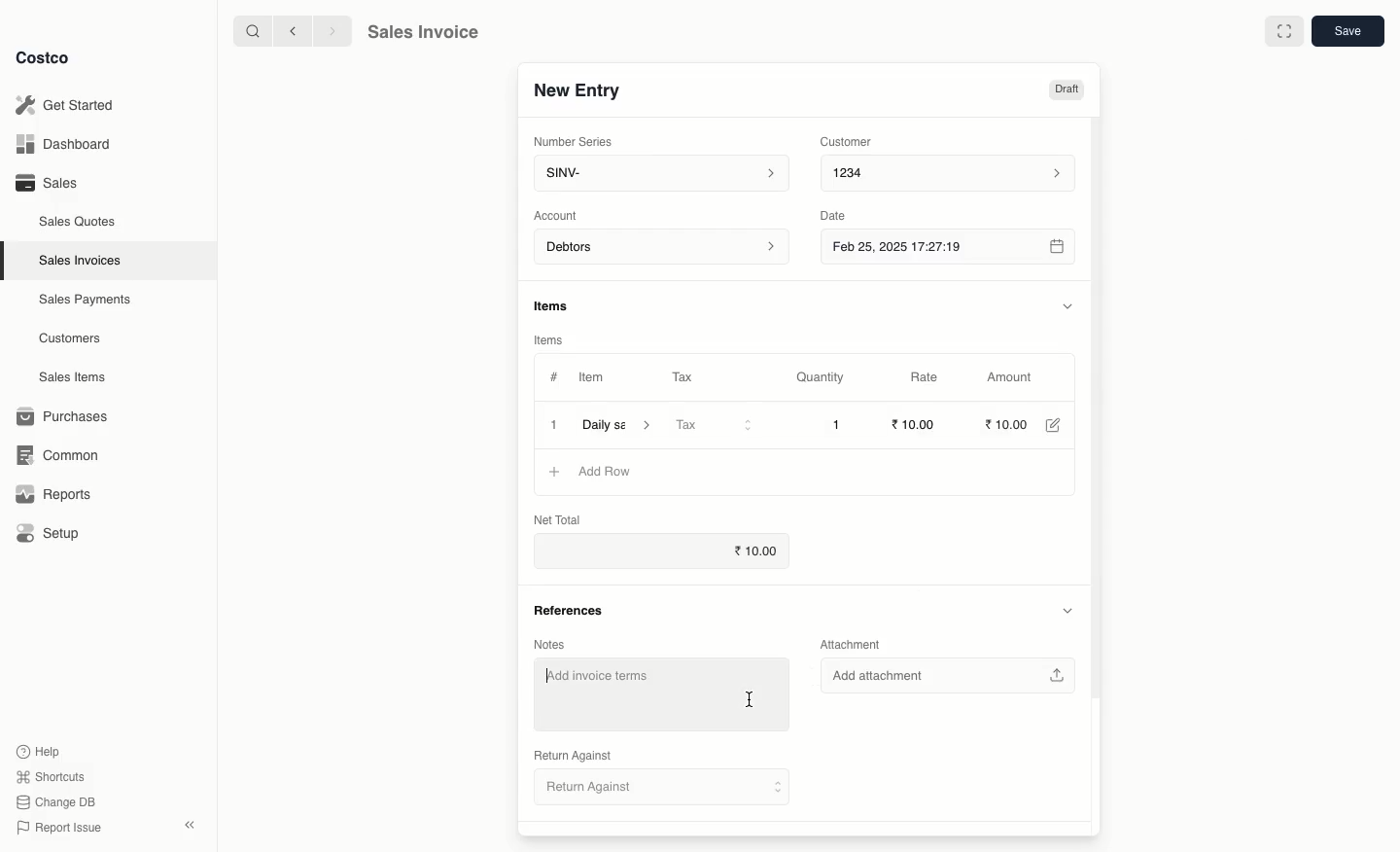 This screenshot has height=852, width=1400. I want to click on Setup, so click(49, 531).